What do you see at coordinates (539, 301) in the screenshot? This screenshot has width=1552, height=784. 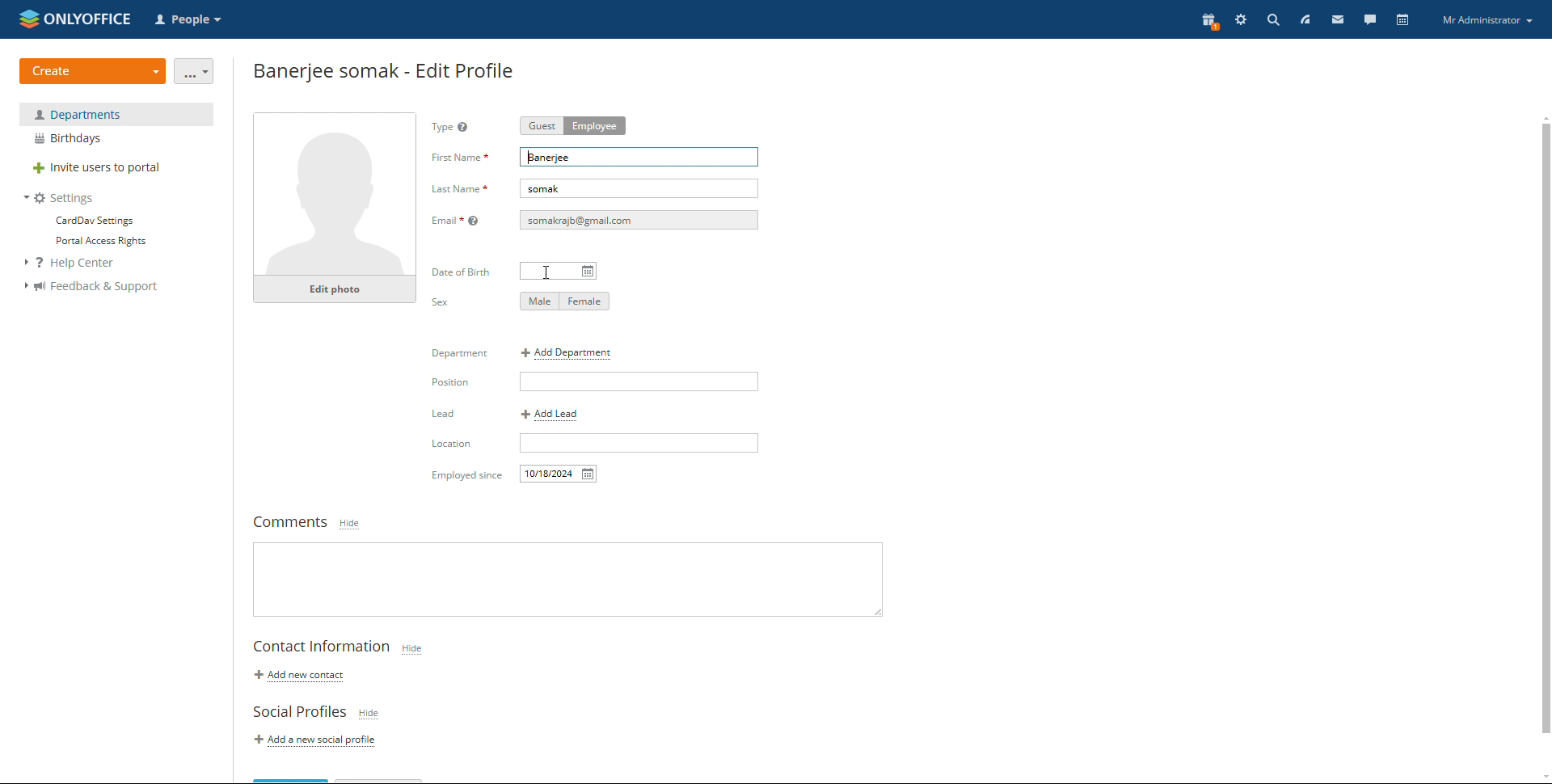 I see `male` at bounding box center [539, 301].